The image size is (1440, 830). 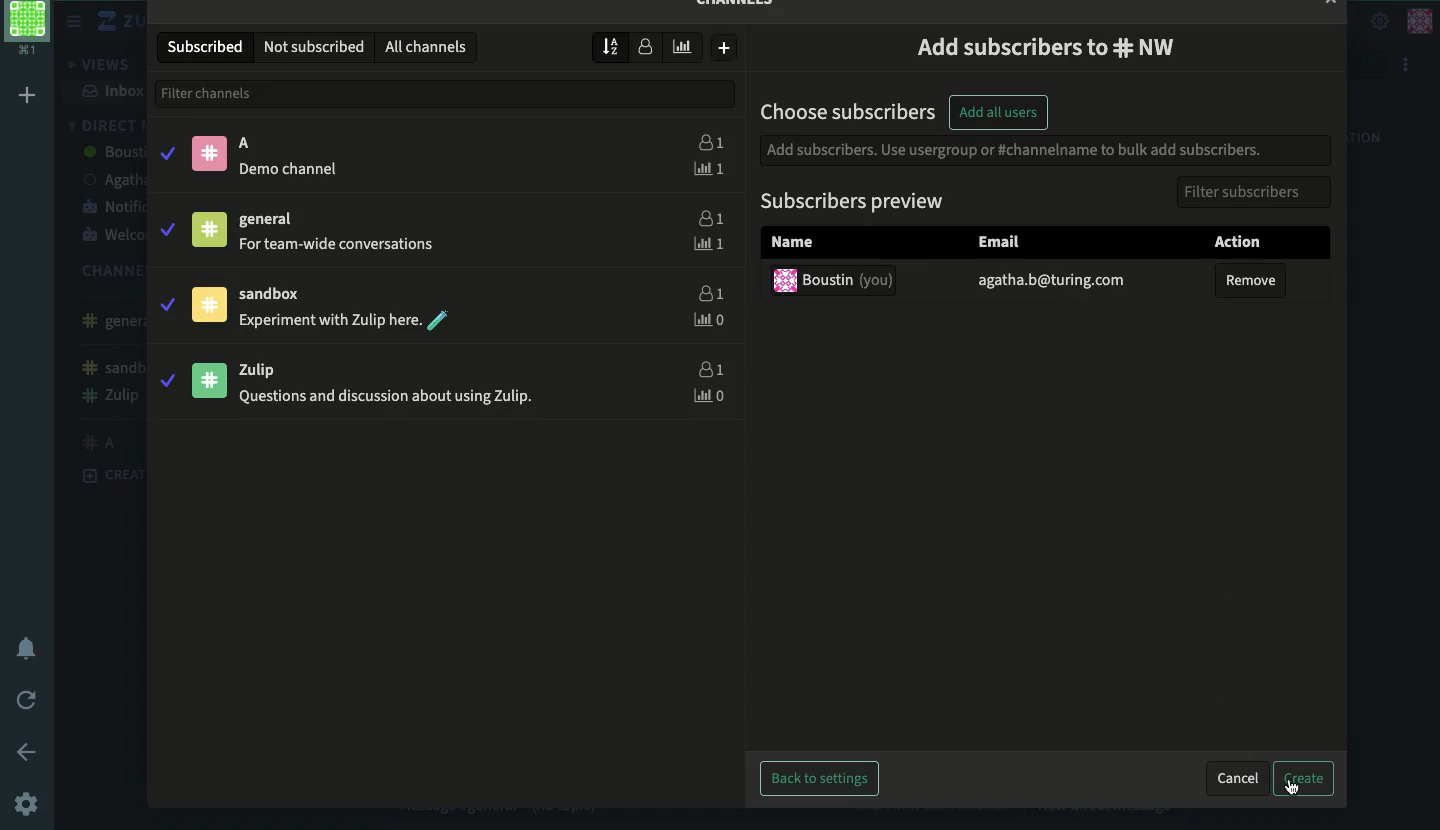 I want to click on notification, so click(x=34, y=652).